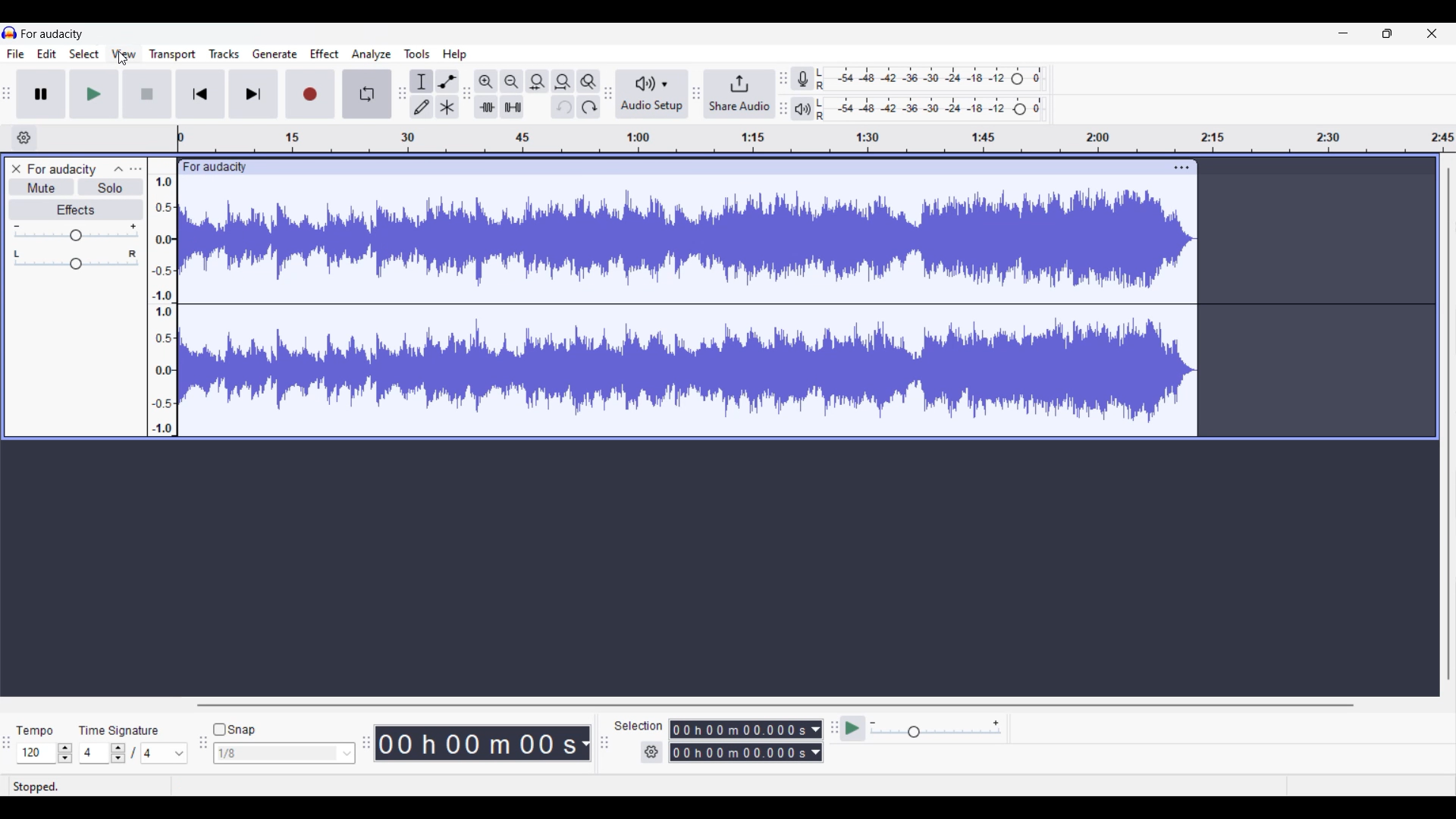 Image resolution: width=1456 pixels, height=819 pixels. I want to click on selection, so click(639, 726).